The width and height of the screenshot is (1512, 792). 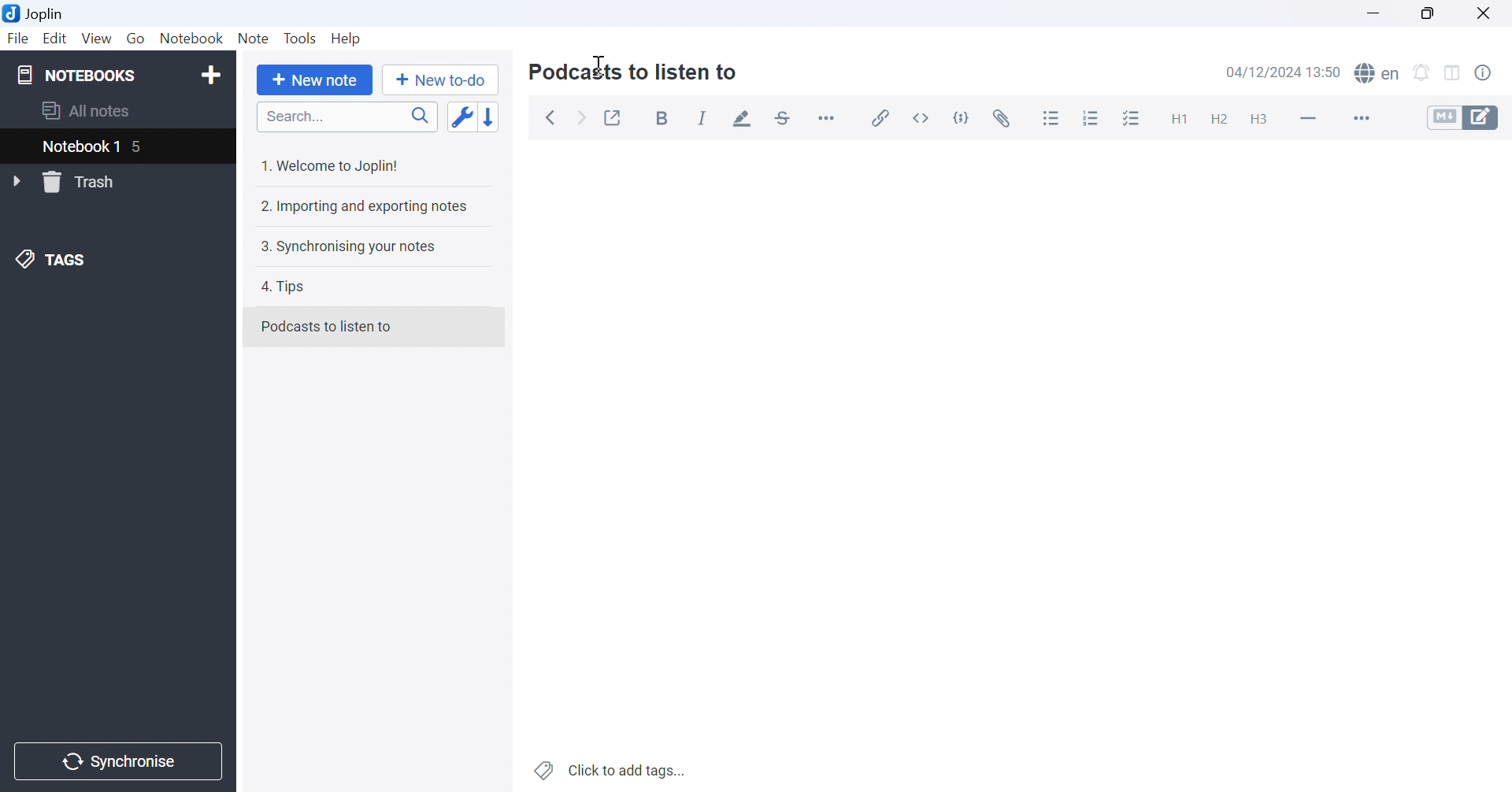 What do you see at coordinates (192, 37) in the screenshot?
I see `Notebook` at bounding box center [192, 37].